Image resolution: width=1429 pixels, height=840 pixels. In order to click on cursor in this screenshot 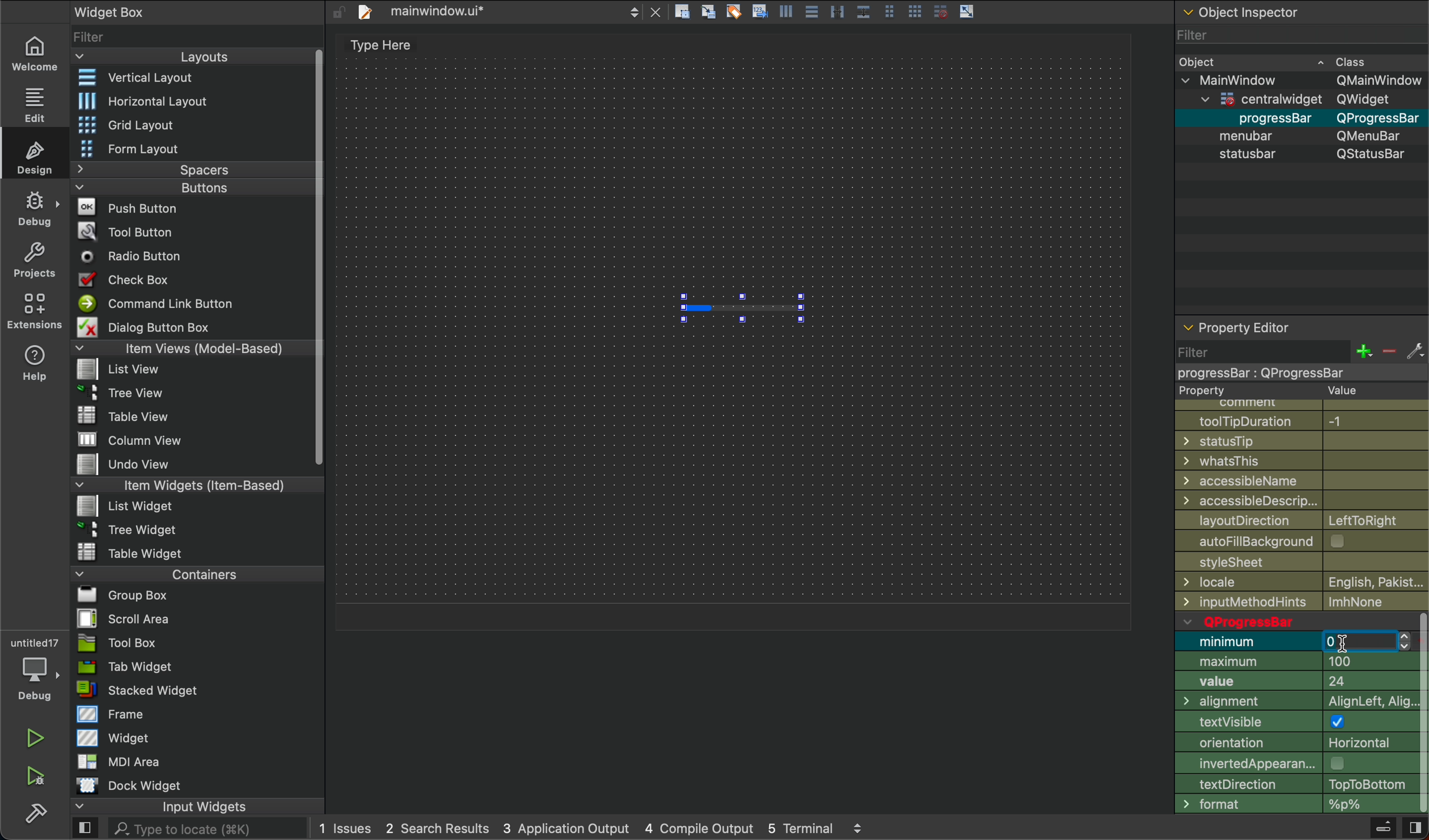, I will do `click(1343, 644)`.